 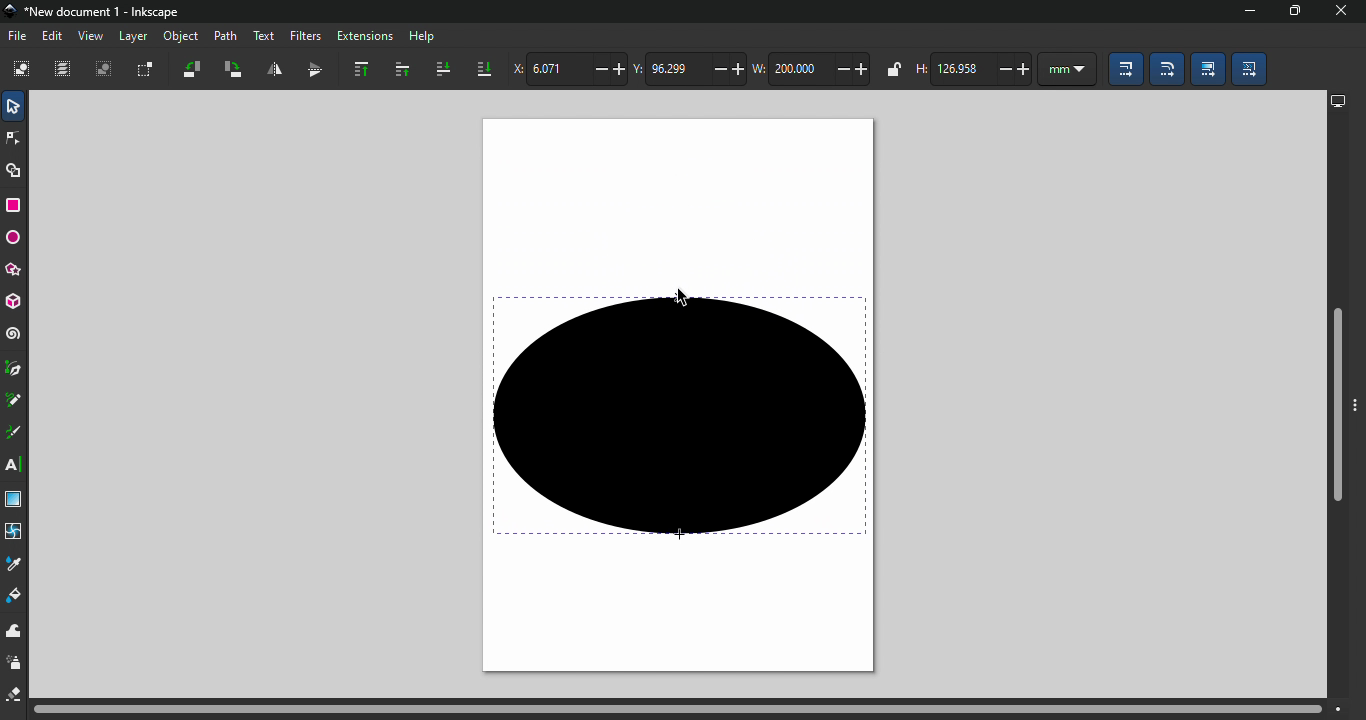 What do you see at coordinates (1065, 68) in the screenshot?
I see `unit` at bounding box center [1065, 68].